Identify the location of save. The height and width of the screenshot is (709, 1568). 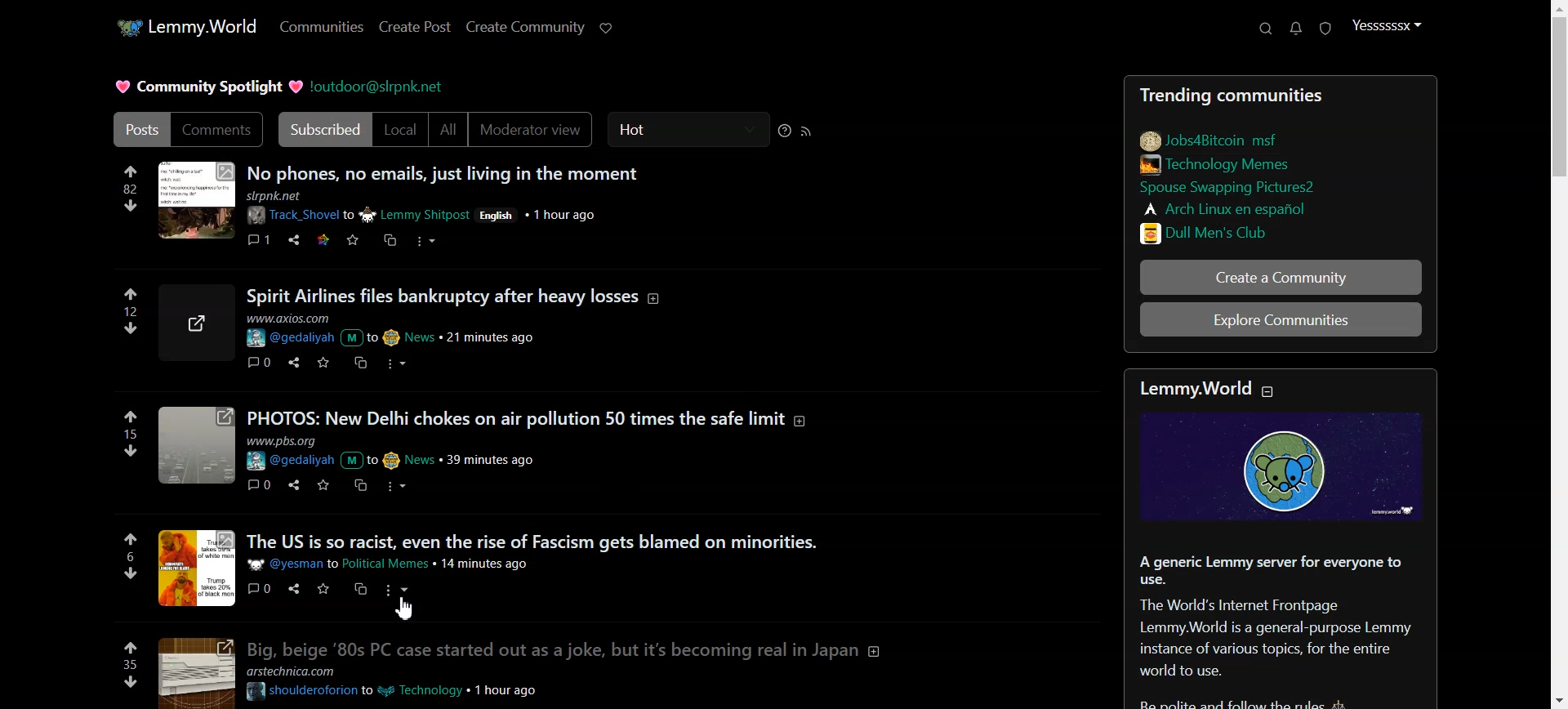
(352, 241).